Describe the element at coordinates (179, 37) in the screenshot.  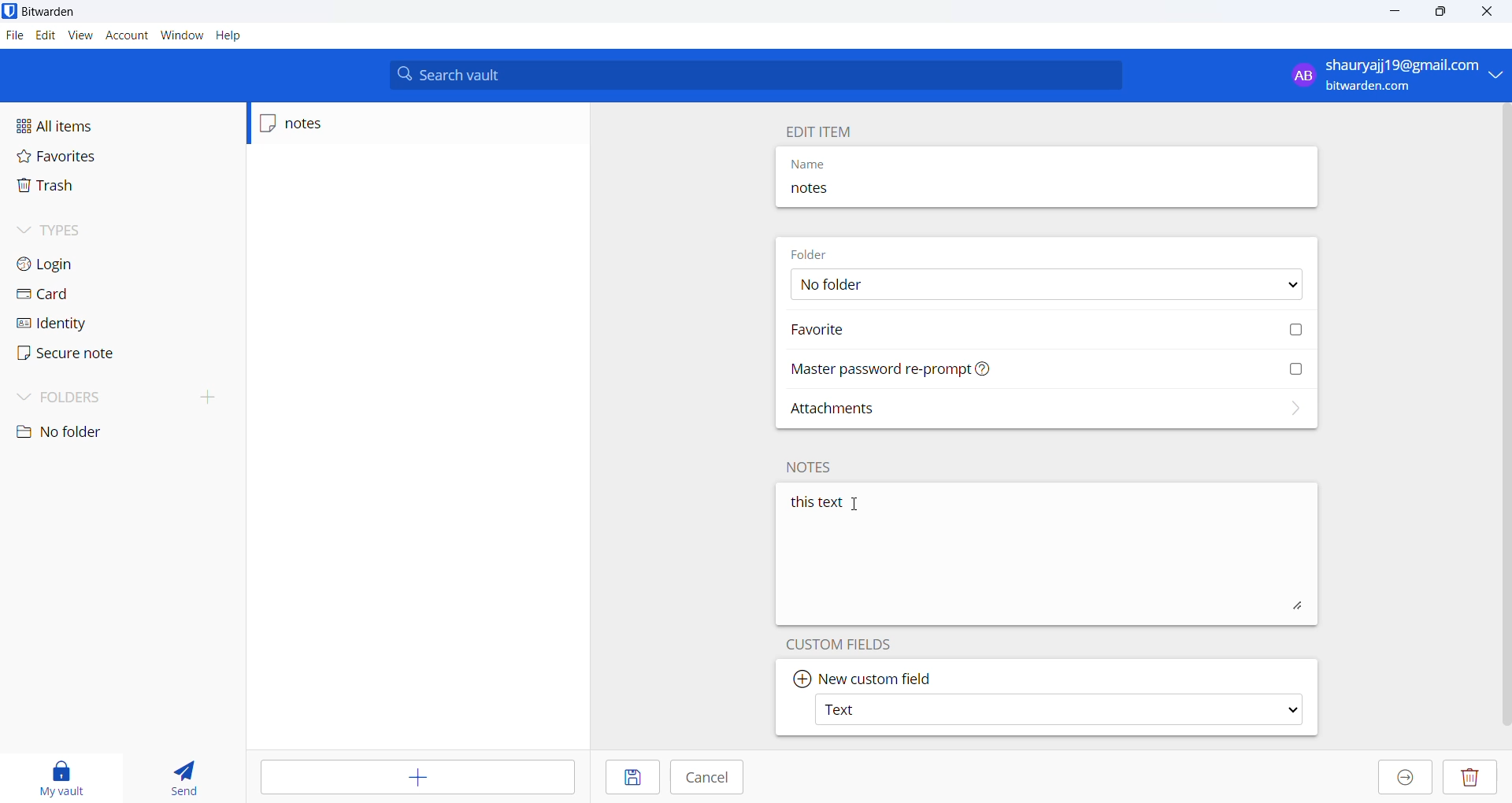
I see `window` at that location.